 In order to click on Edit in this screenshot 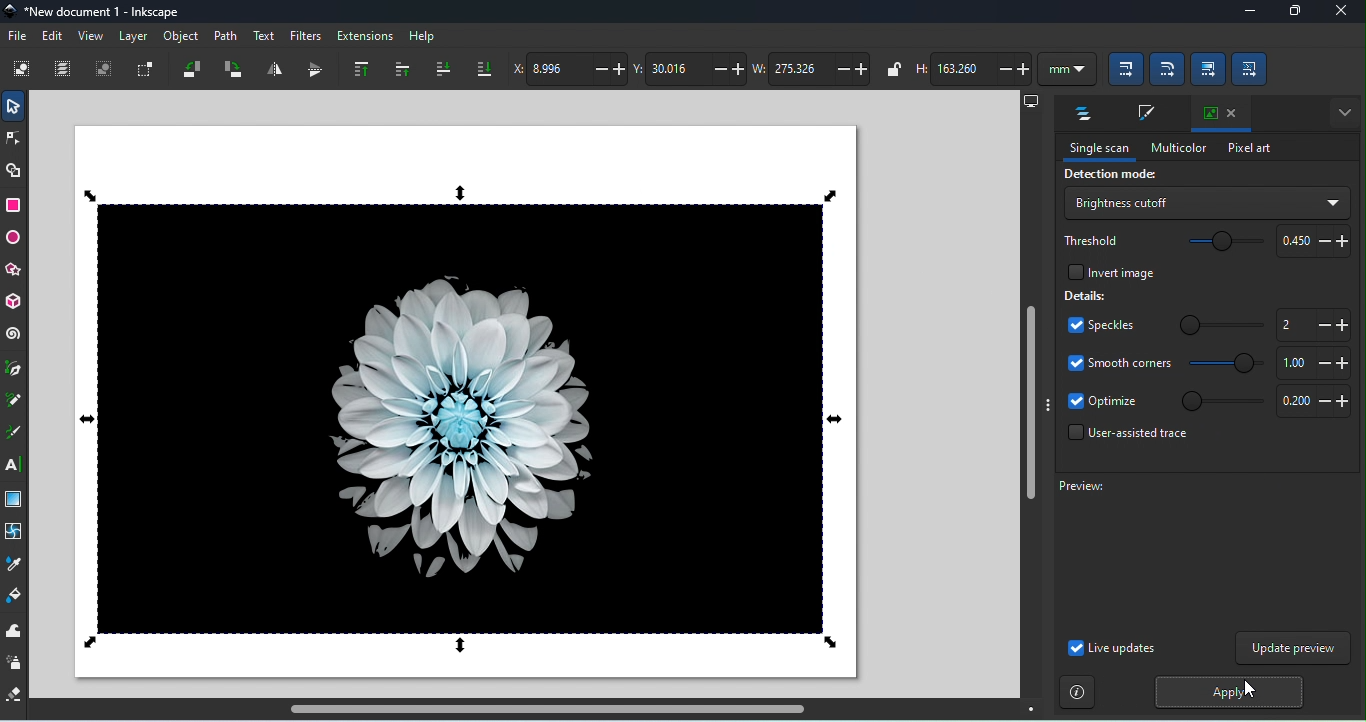, I will do `click(53, 36)`.